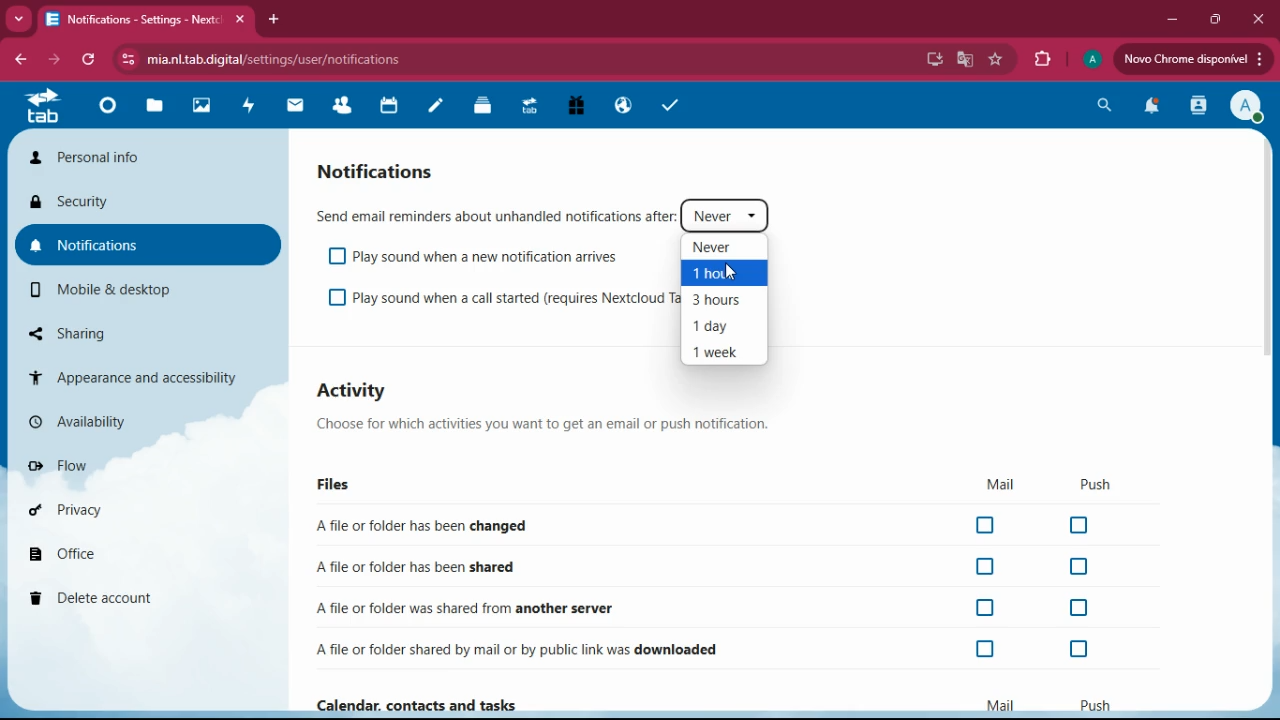  I want to click on push, so click(1096, 704).